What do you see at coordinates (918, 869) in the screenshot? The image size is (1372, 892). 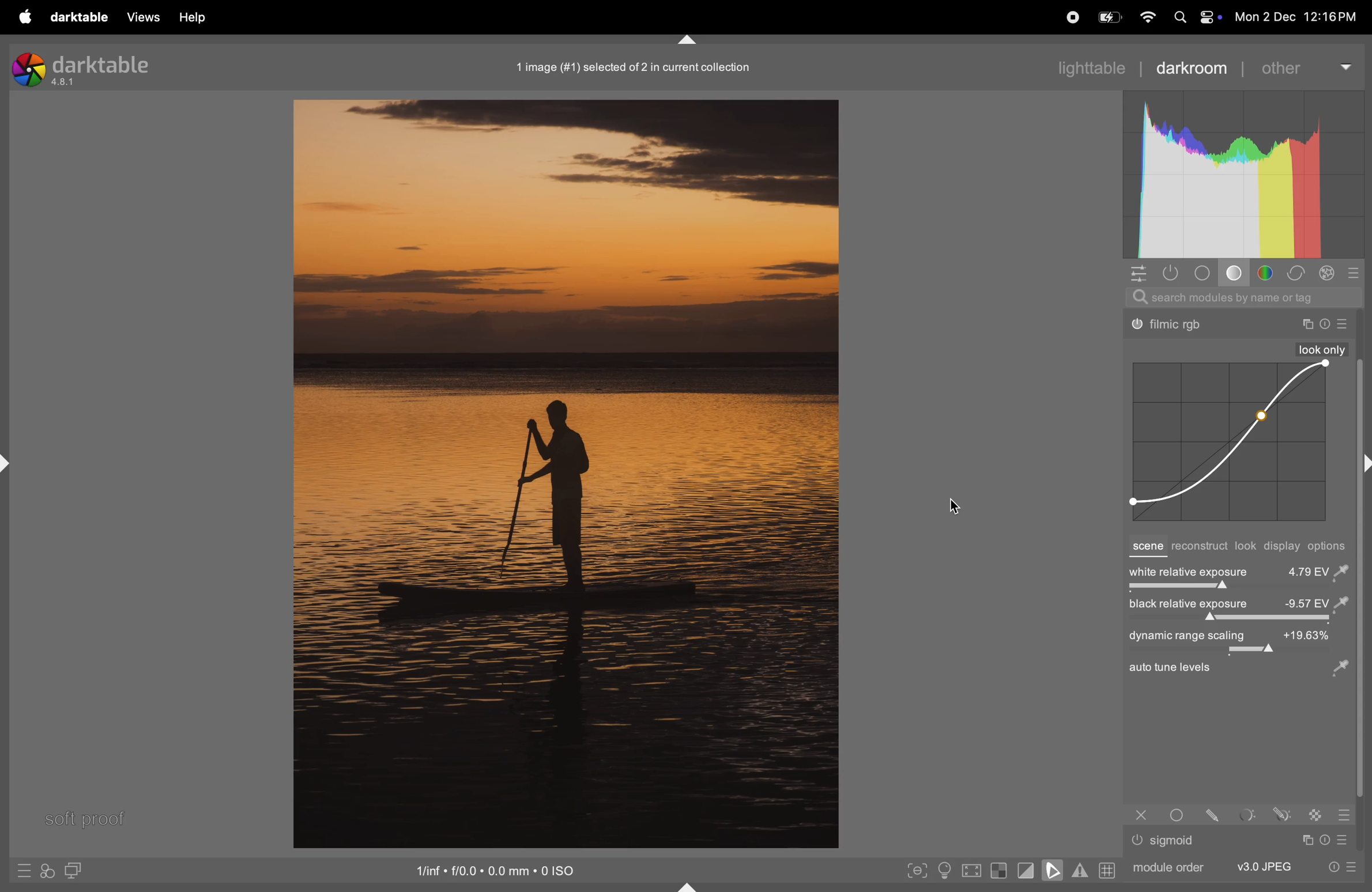 I see `toggle focus peaking mode` at bounding box center [918, 869].